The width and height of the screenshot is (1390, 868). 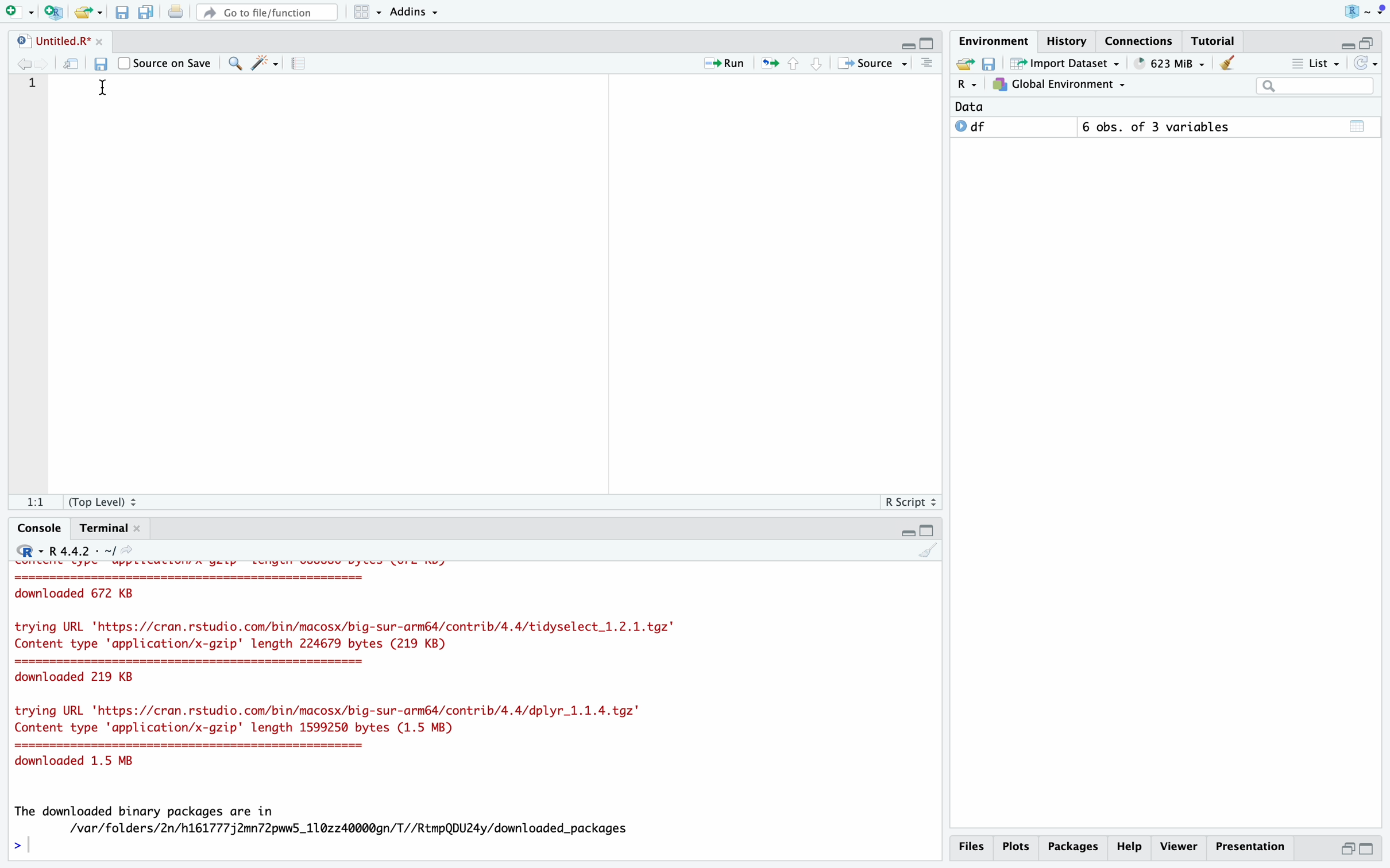 I want to click on Full Height, so click(x=929, y=41).